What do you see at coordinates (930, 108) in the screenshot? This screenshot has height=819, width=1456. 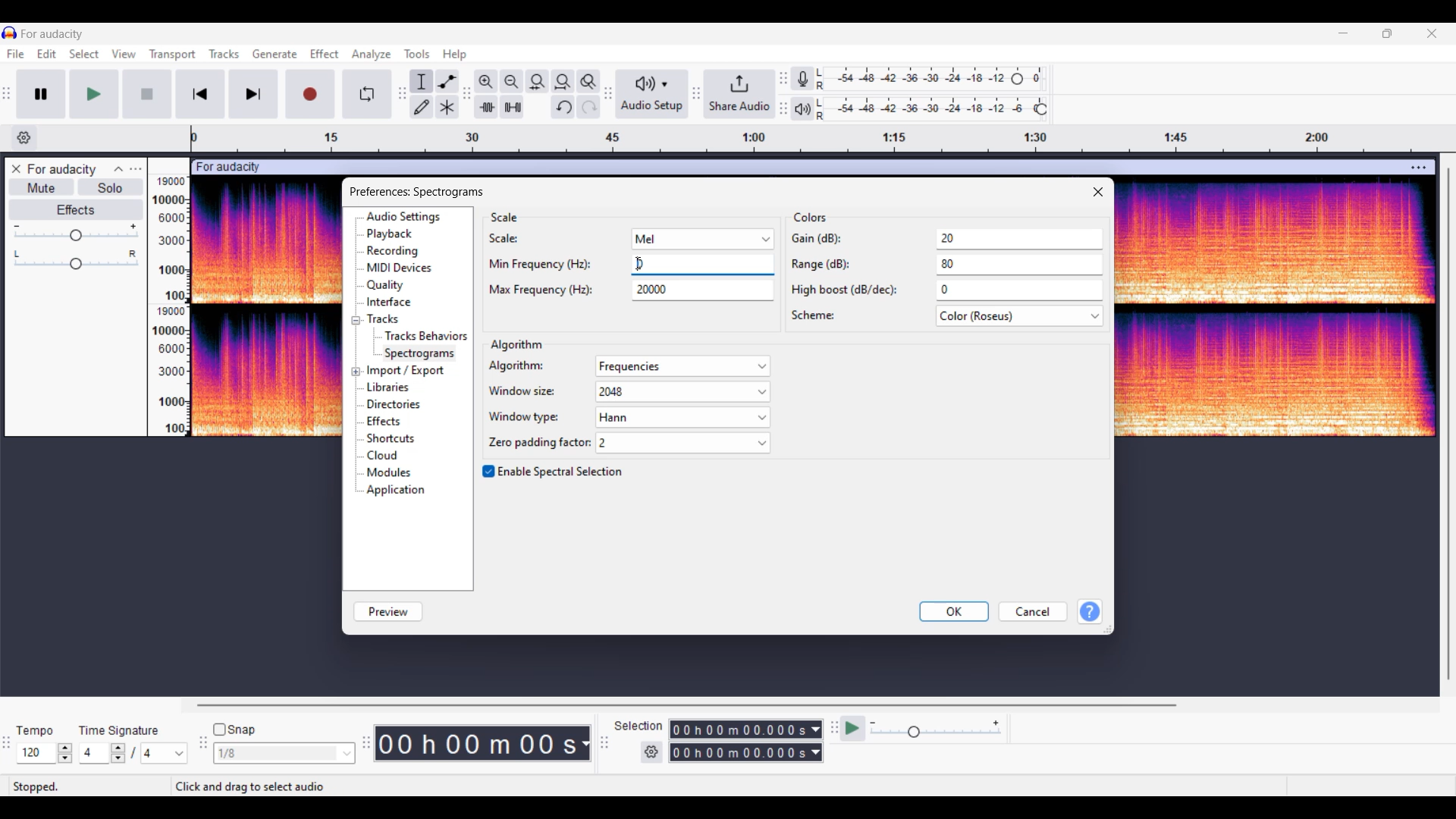 I see `Playback level` at bounding box center [930, 108].